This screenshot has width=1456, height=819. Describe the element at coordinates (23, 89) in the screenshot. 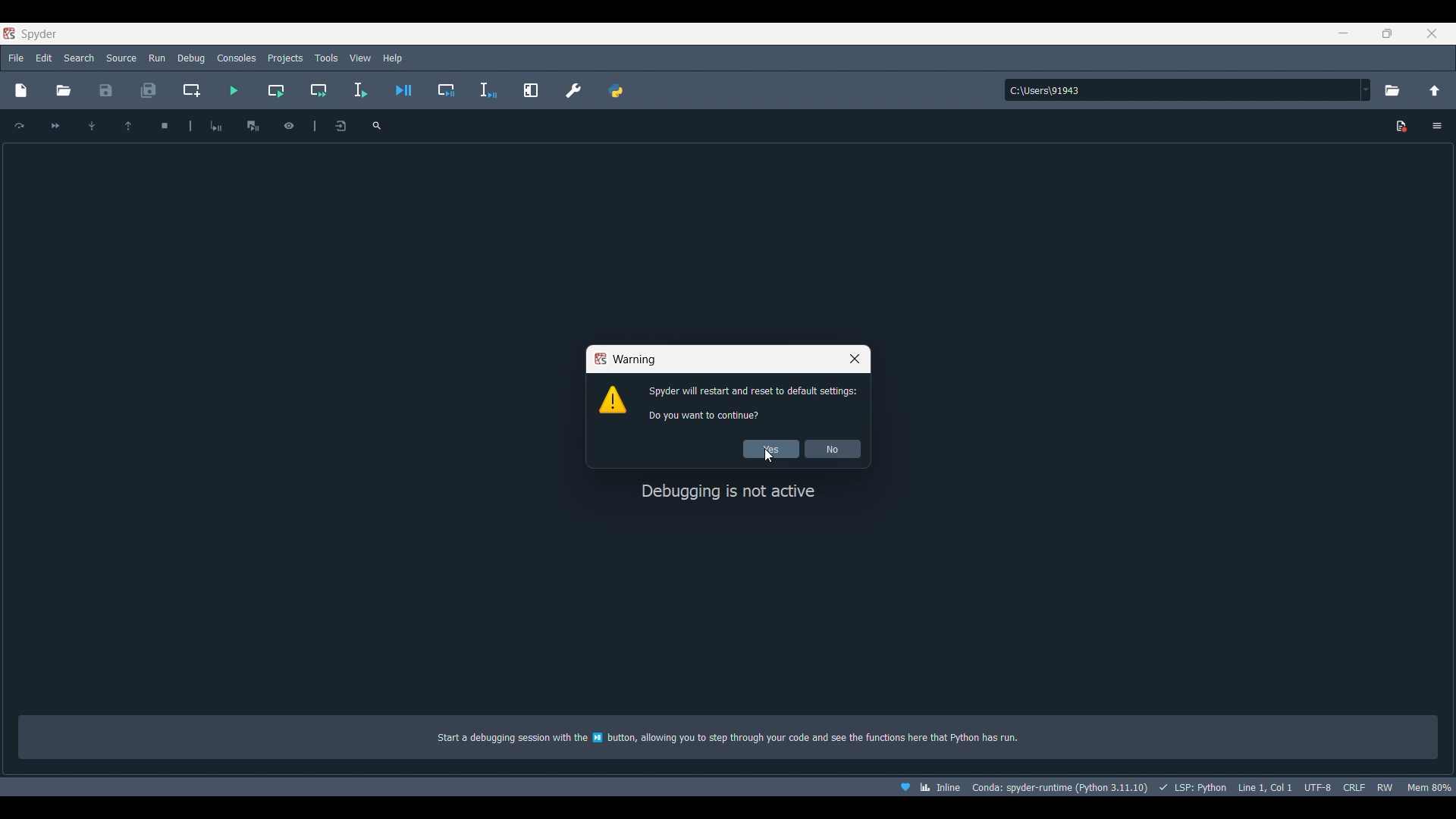

I see `New` at that location.